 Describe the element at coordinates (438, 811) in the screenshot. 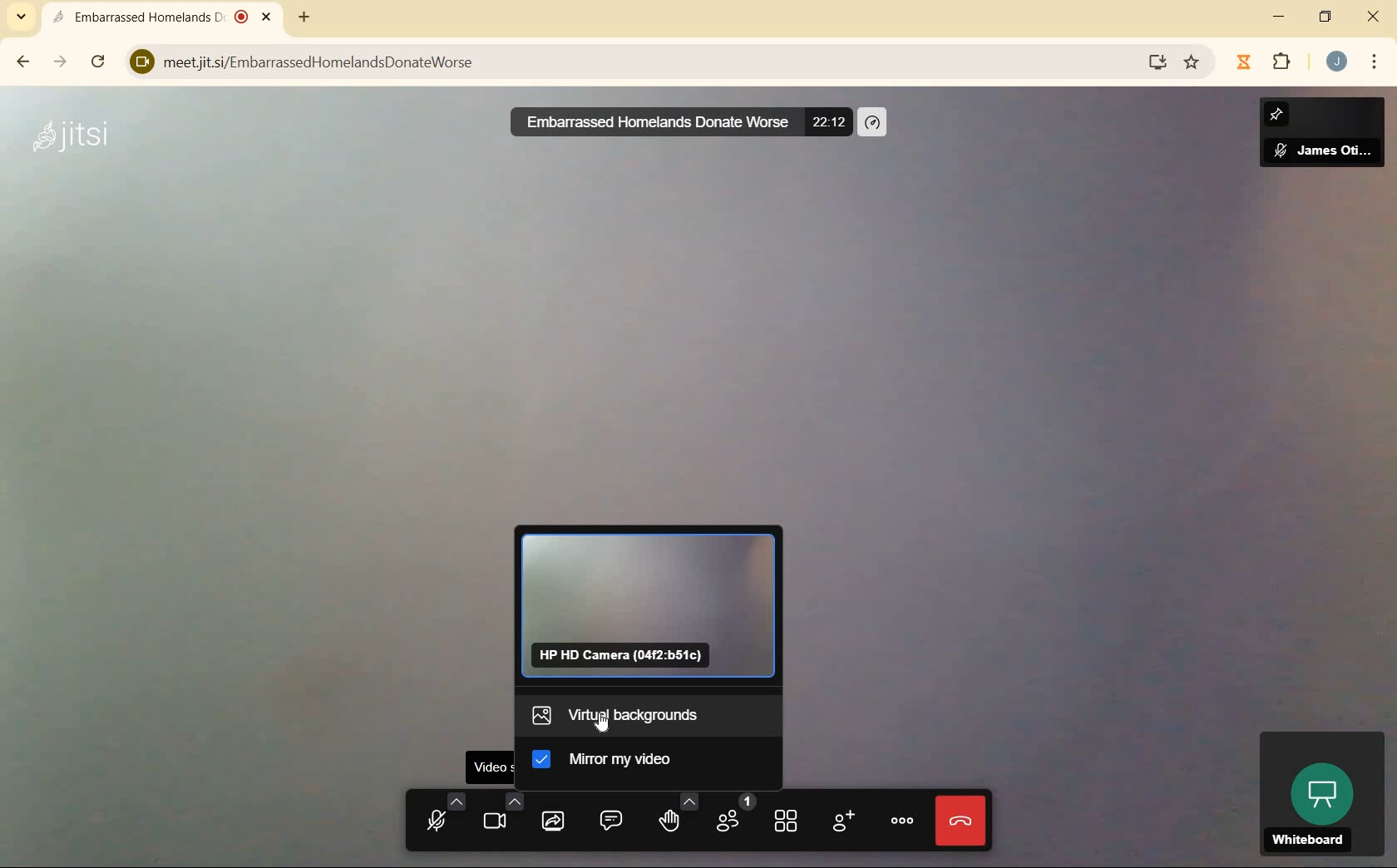

I see `microphone` at that location.